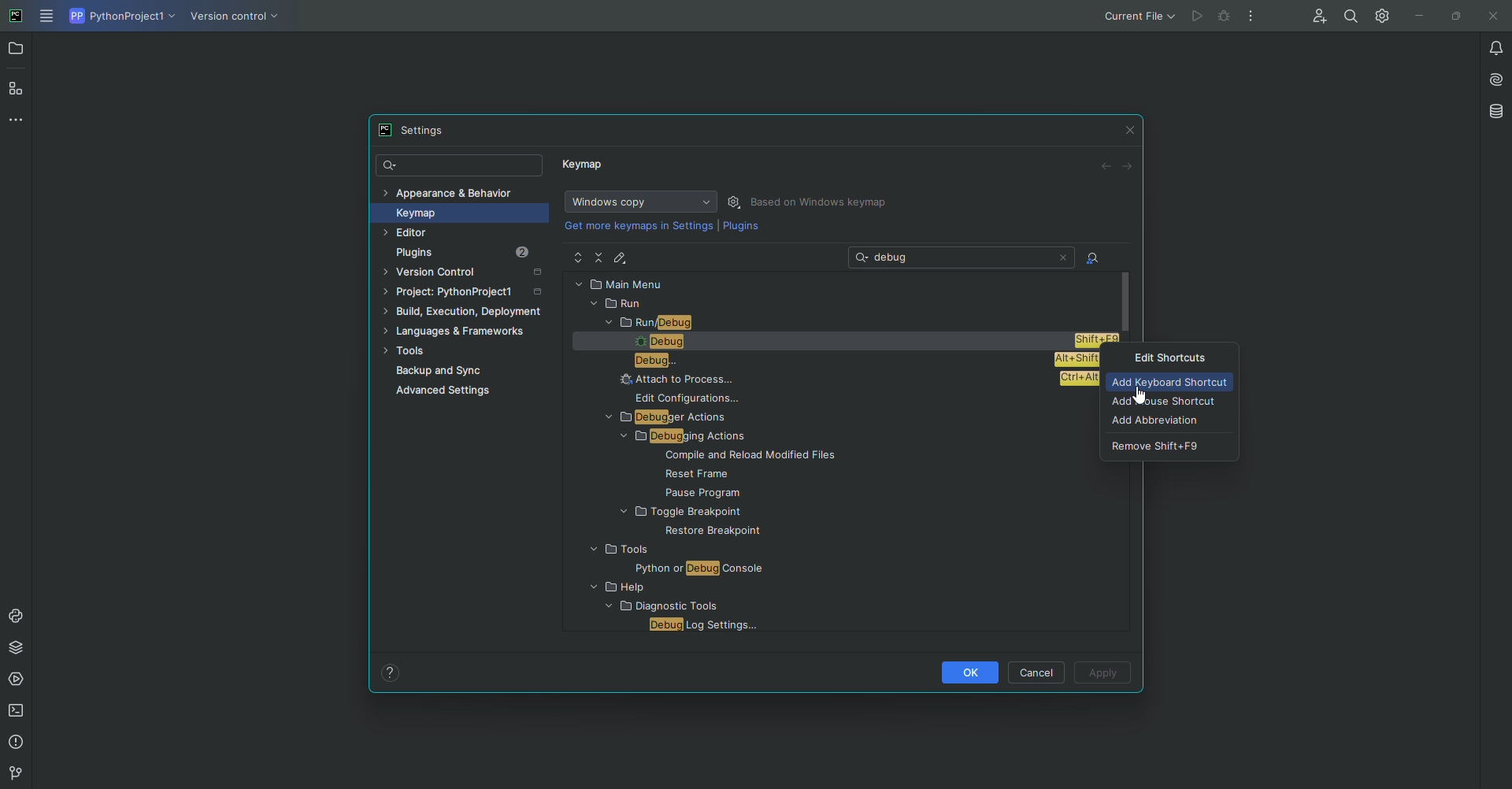 The height and width of the screenshot is (789, 1512). I want to click on Plugins, so click(741, 229).